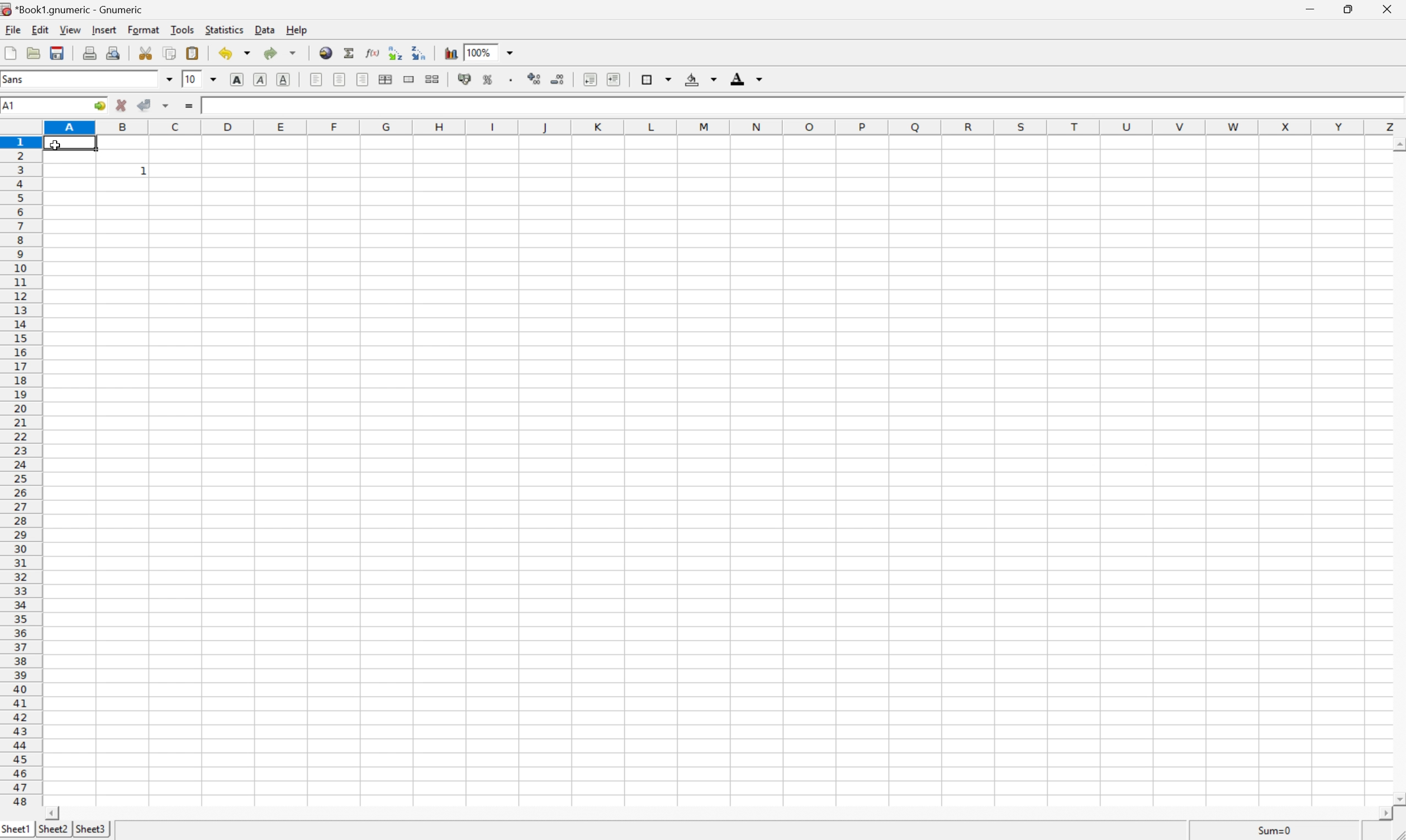  Describe the element at coordinates (182, 30) in the screenshot. I see `tools` at that location.